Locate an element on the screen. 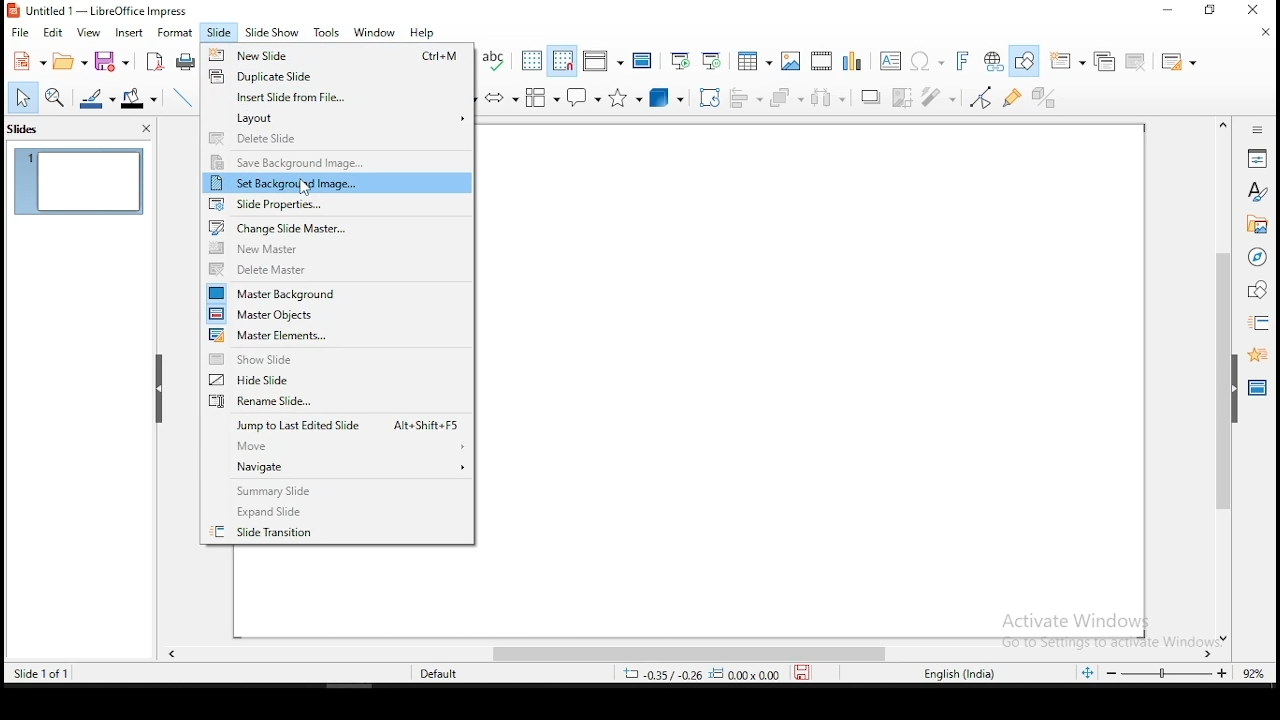  slide transition is located at coordinates (341, 533).